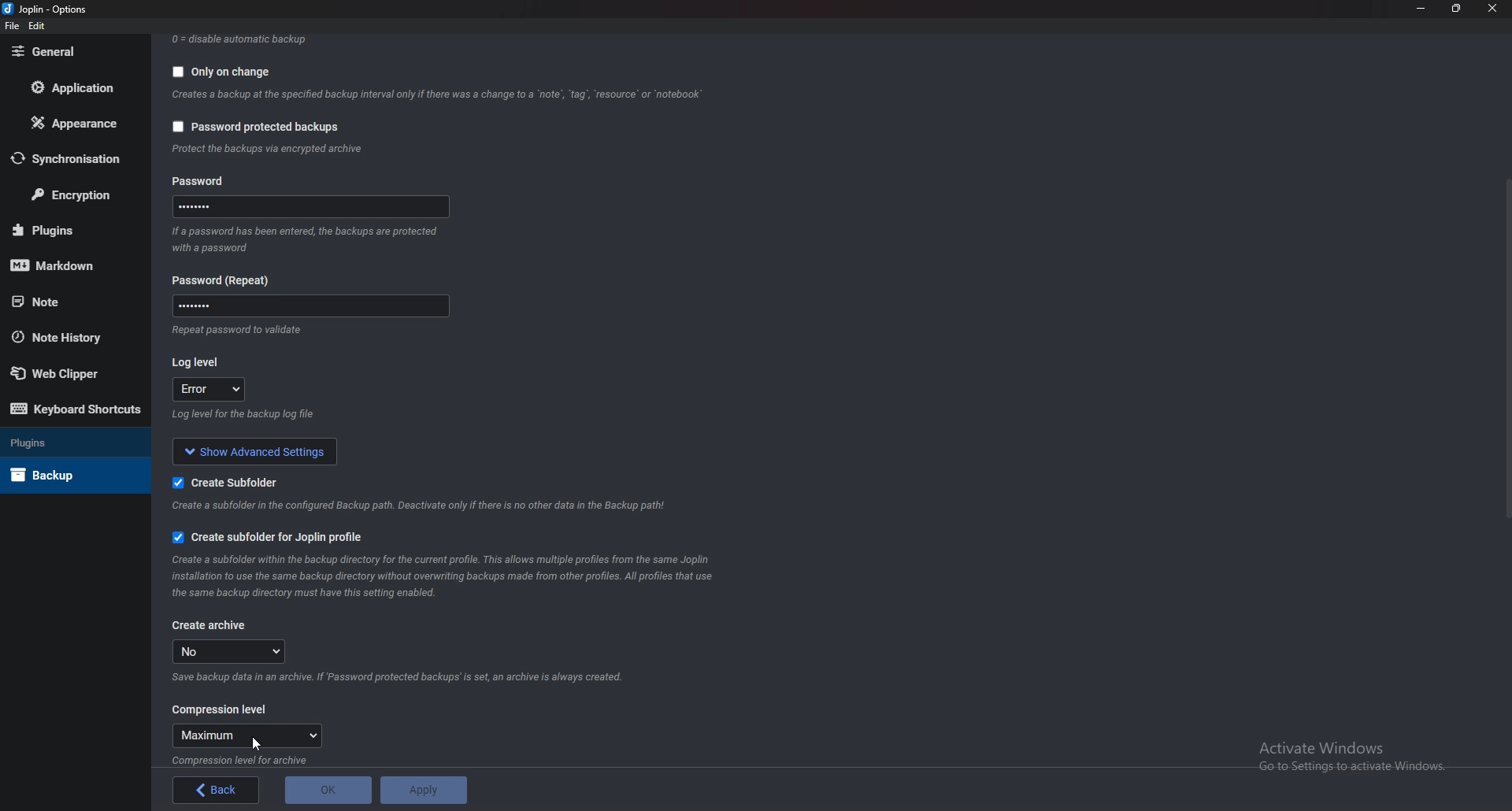  Describe the element at coordinates (1457, 9) in the screenshot. I see `Resize` at that location.